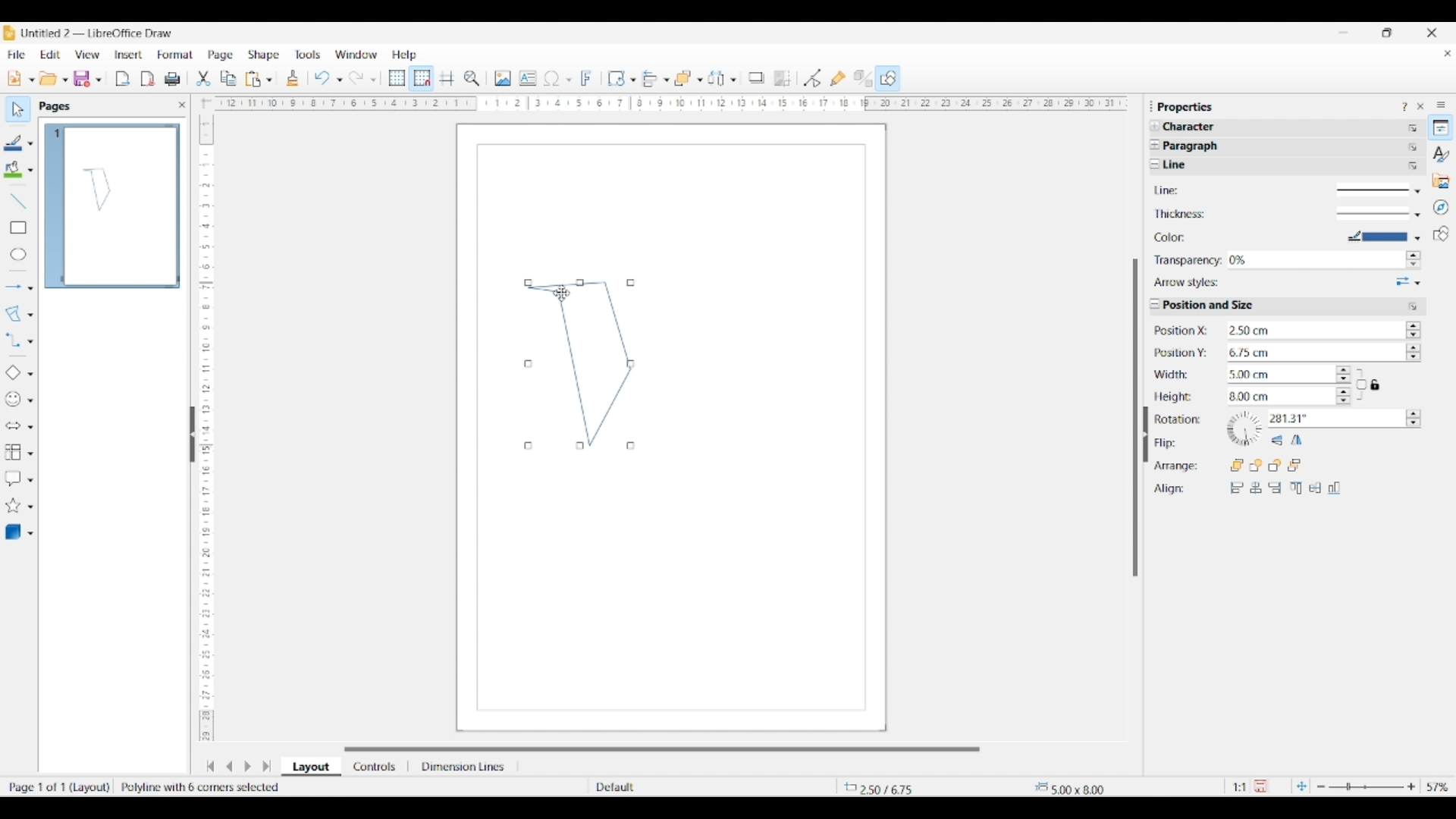 Image resolution: width=1456 pixels, height=819 pixels. Describe the element at coordinates (265, 55) in the screenshot. I see `Shape` at that location.